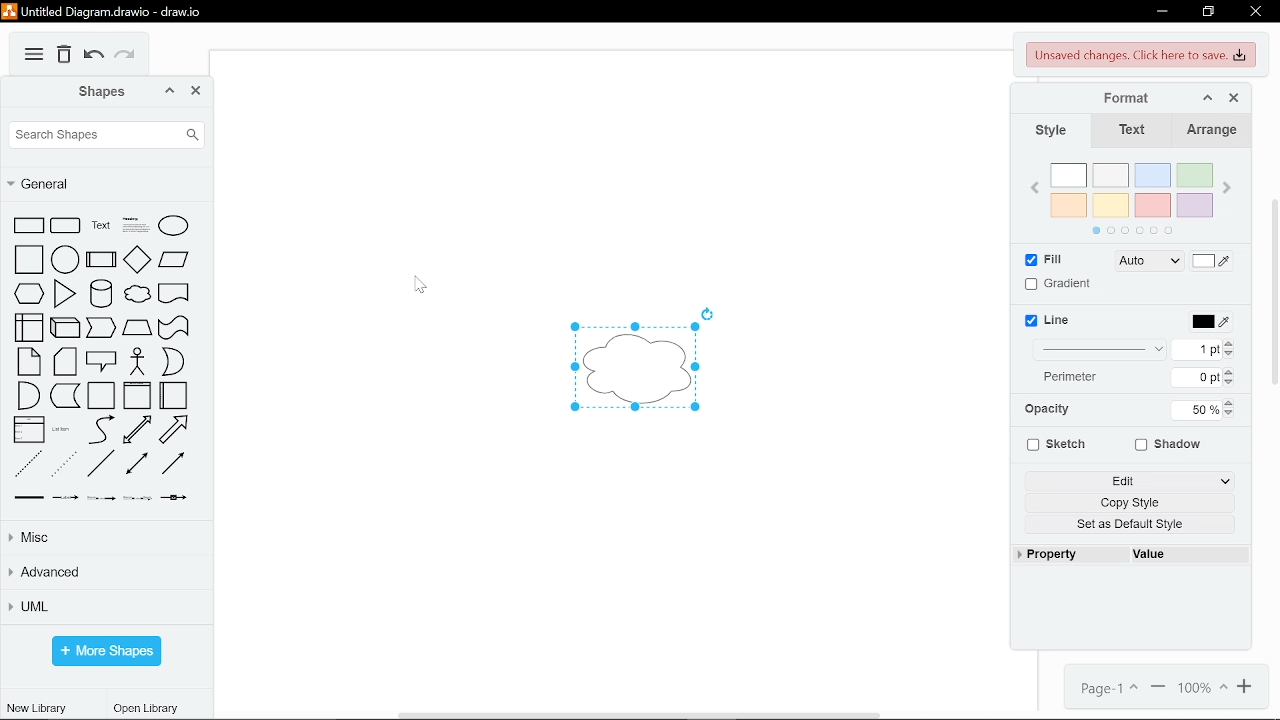 This screenshot has height=720, width=1280. What do you see at coordinates (1043, 261) in the screenshot?
I see `fill` at bounding box center [1043, 261].